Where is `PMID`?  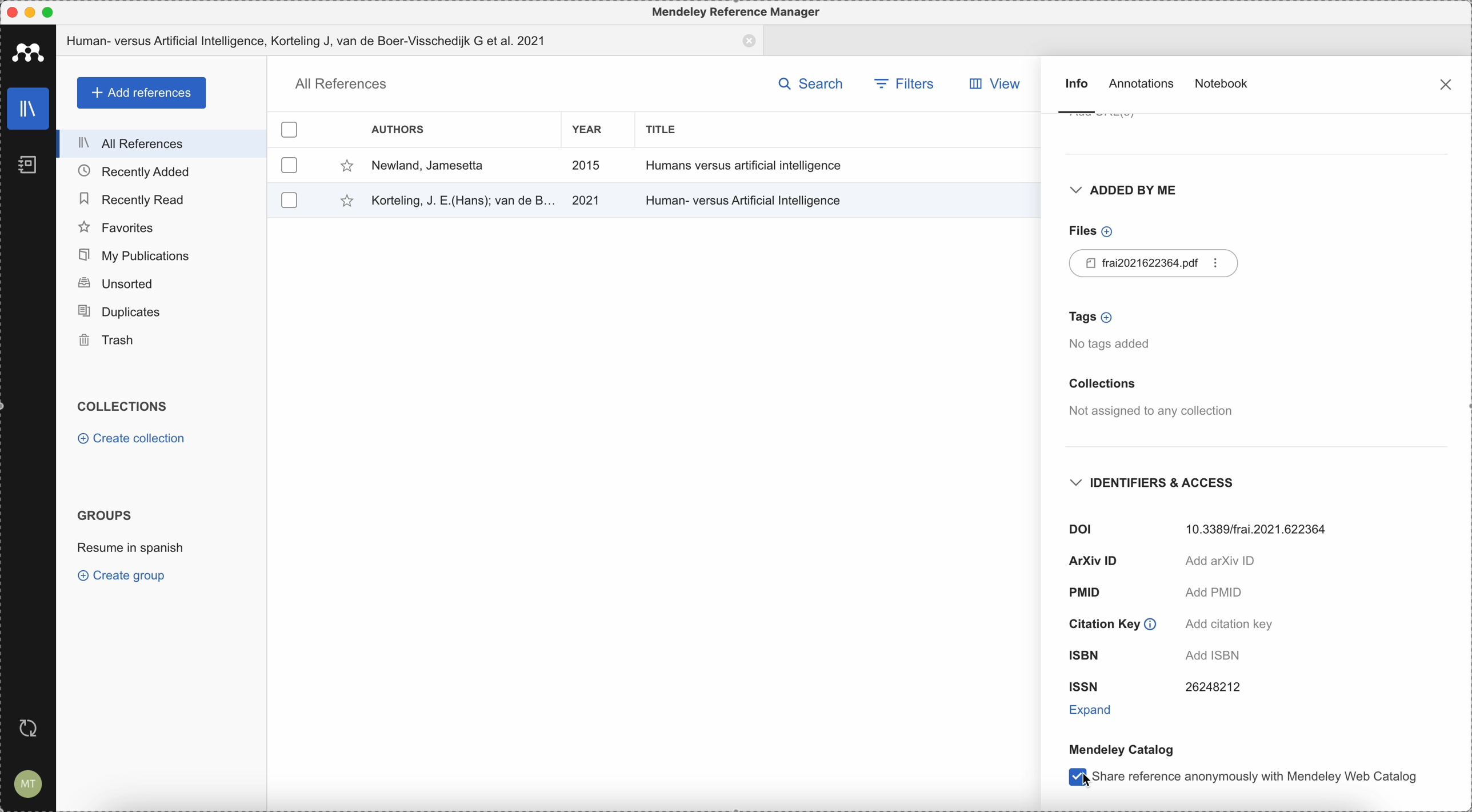
PMID is located at coordinates (1154, 594).